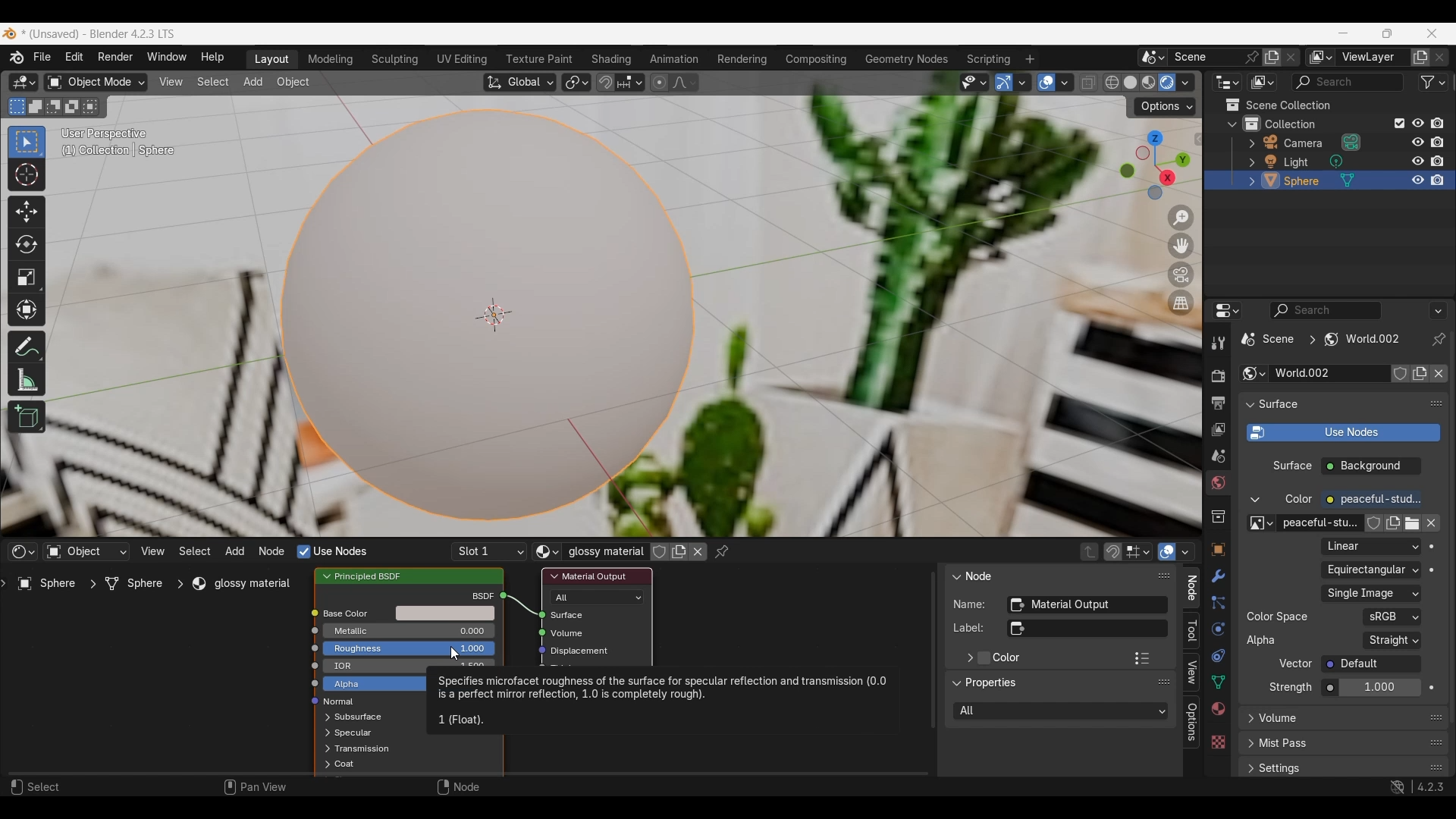 The image size is (1456, 819). What do you see at coordinates (27, 212) in the screenshot?
I see `Move` at bounding box center [27, 212].